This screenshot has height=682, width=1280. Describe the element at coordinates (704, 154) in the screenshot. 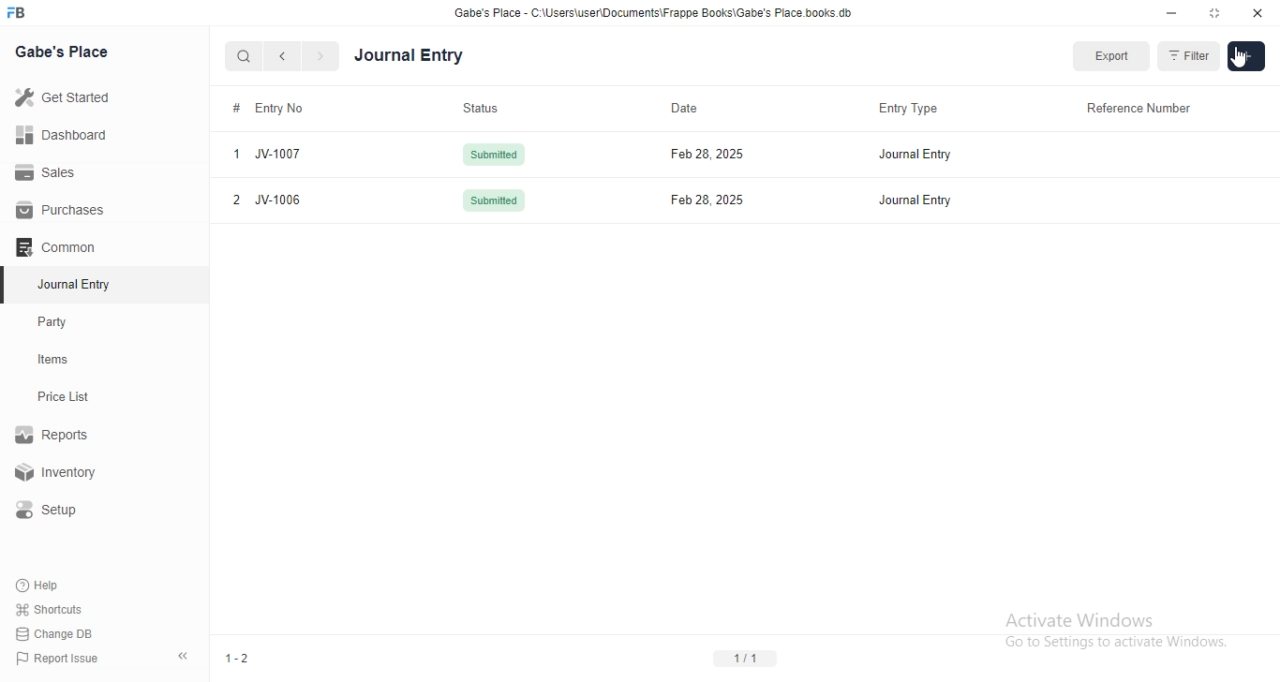

I see `Feb 28, 2025` at that location.